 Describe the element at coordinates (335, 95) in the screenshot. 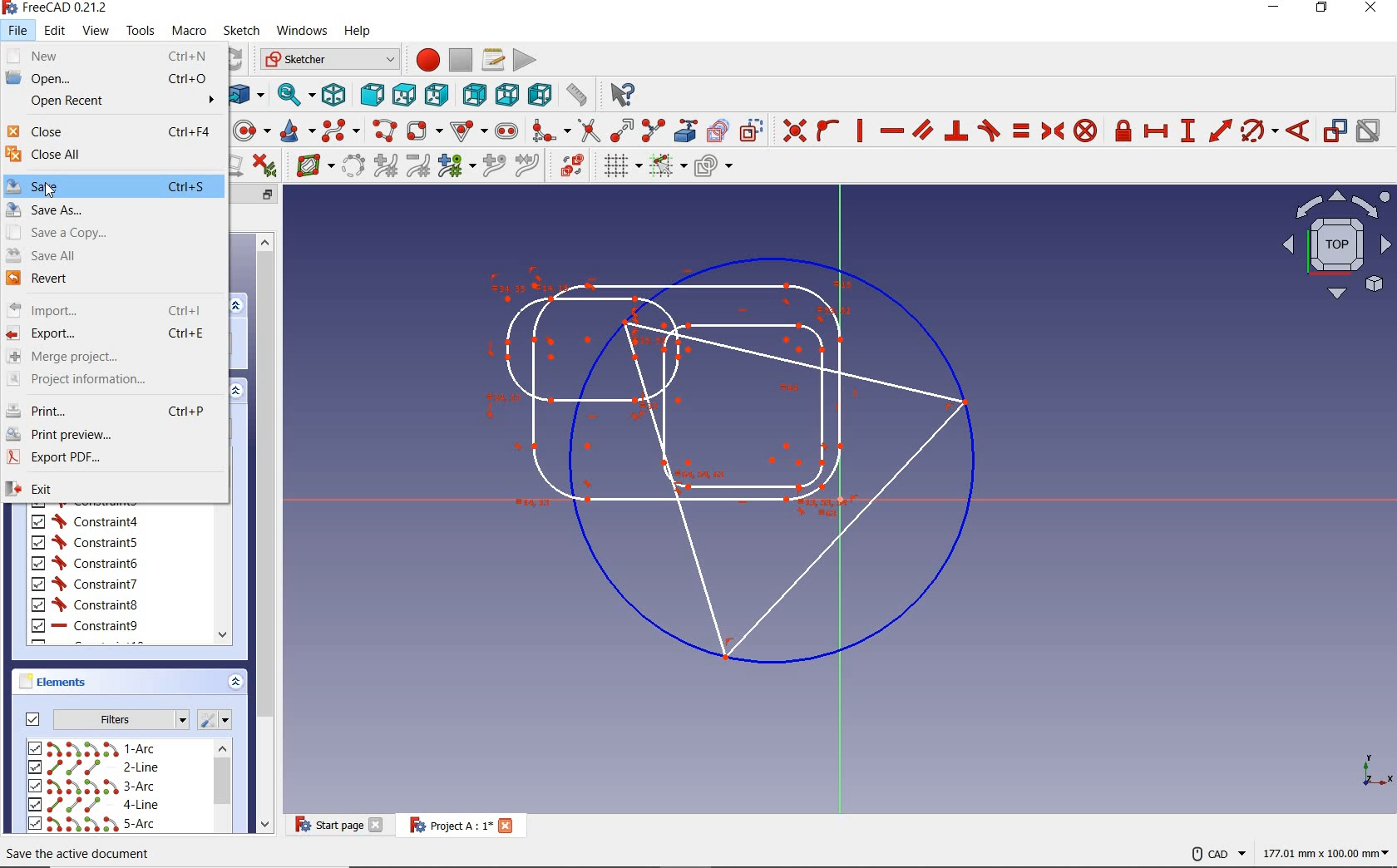

I see `isometric` at that location.